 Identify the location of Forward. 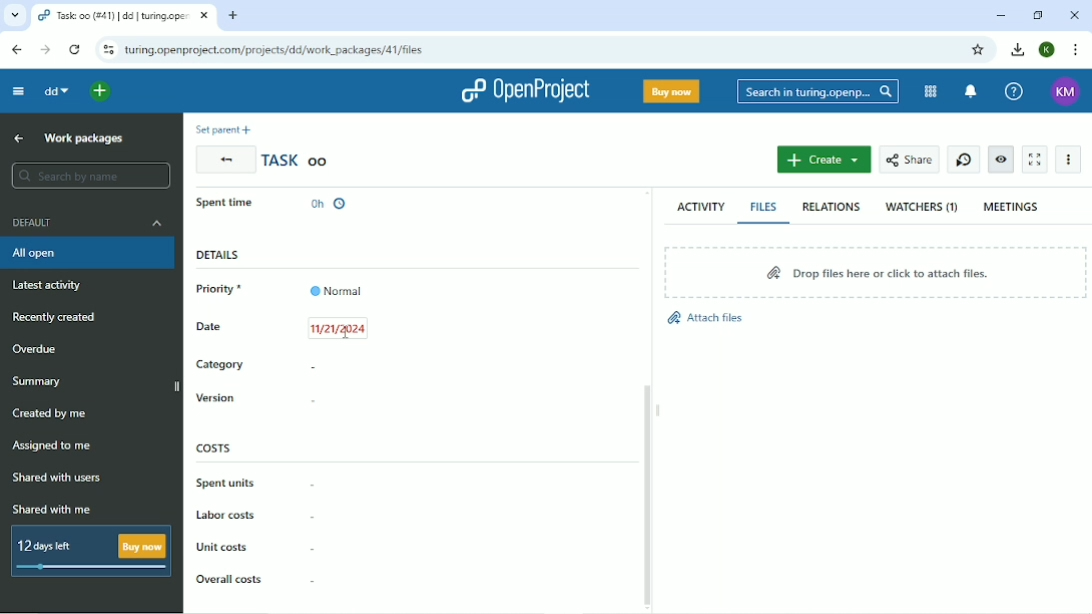
(45, 50).